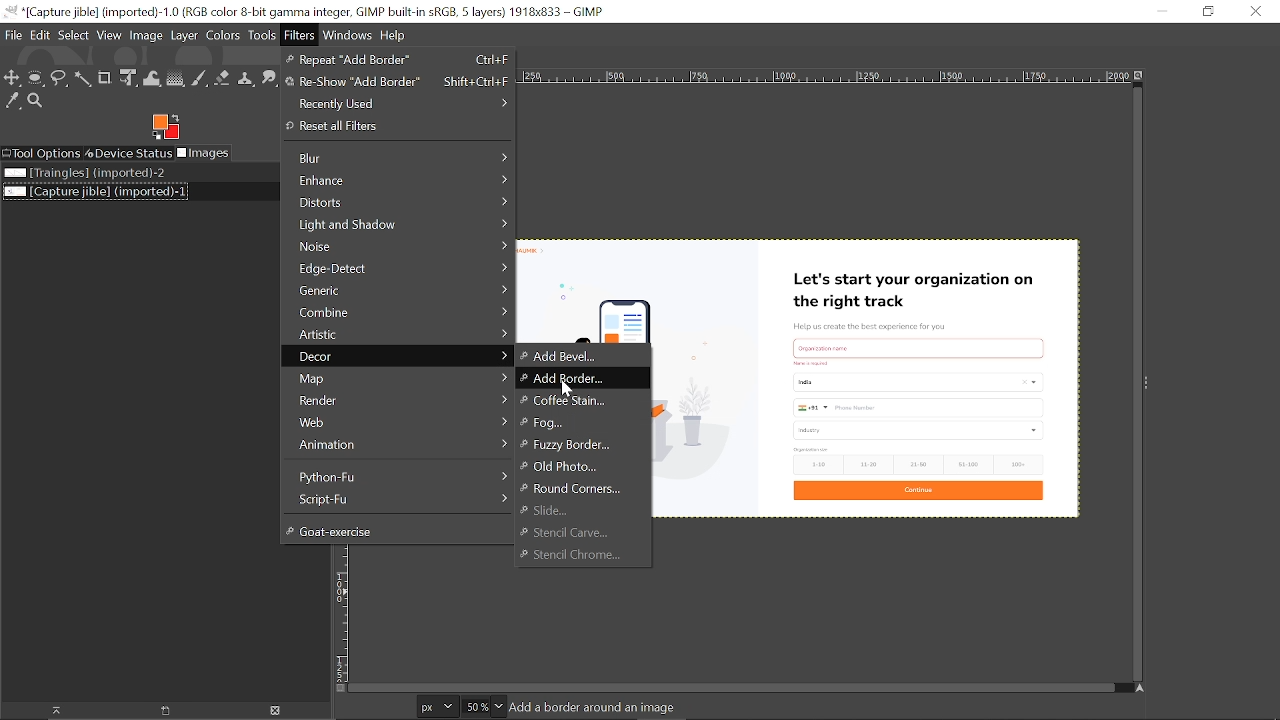  What do you see at coordinates (570, 356) in the screenshot?
I see `Add-bevel` at bounding box center [570, 356].